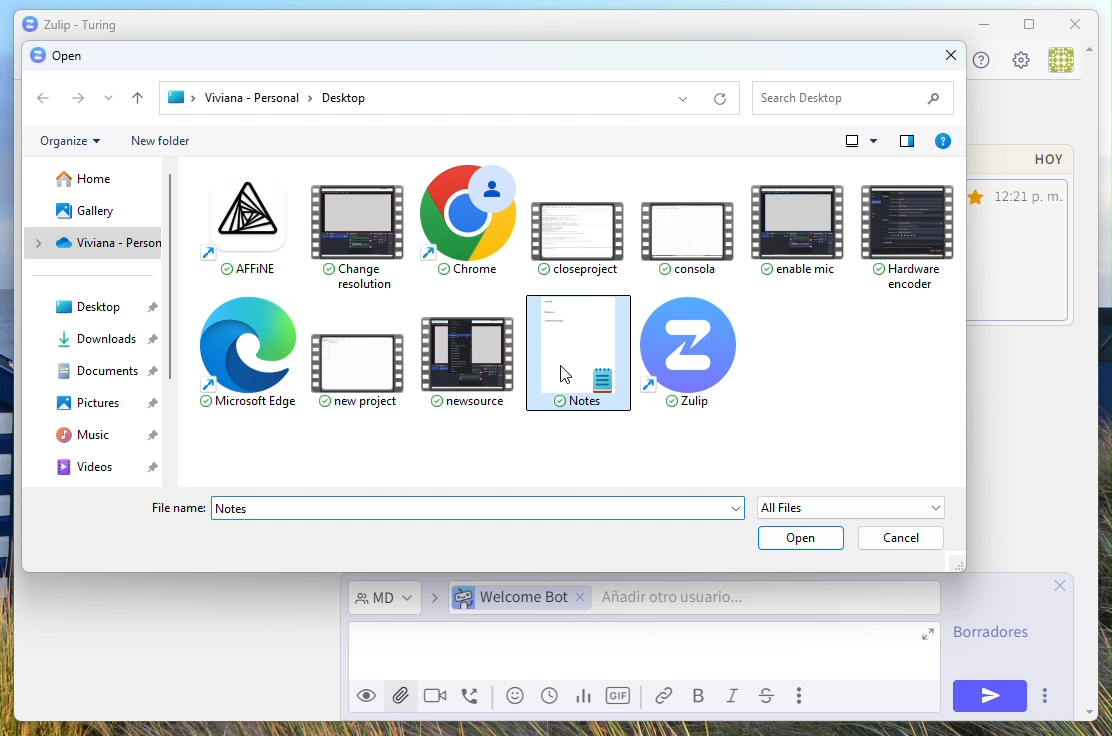 The width and height of the screenshot is (1112, 736). I want to click on Videos, so click(112, 467).